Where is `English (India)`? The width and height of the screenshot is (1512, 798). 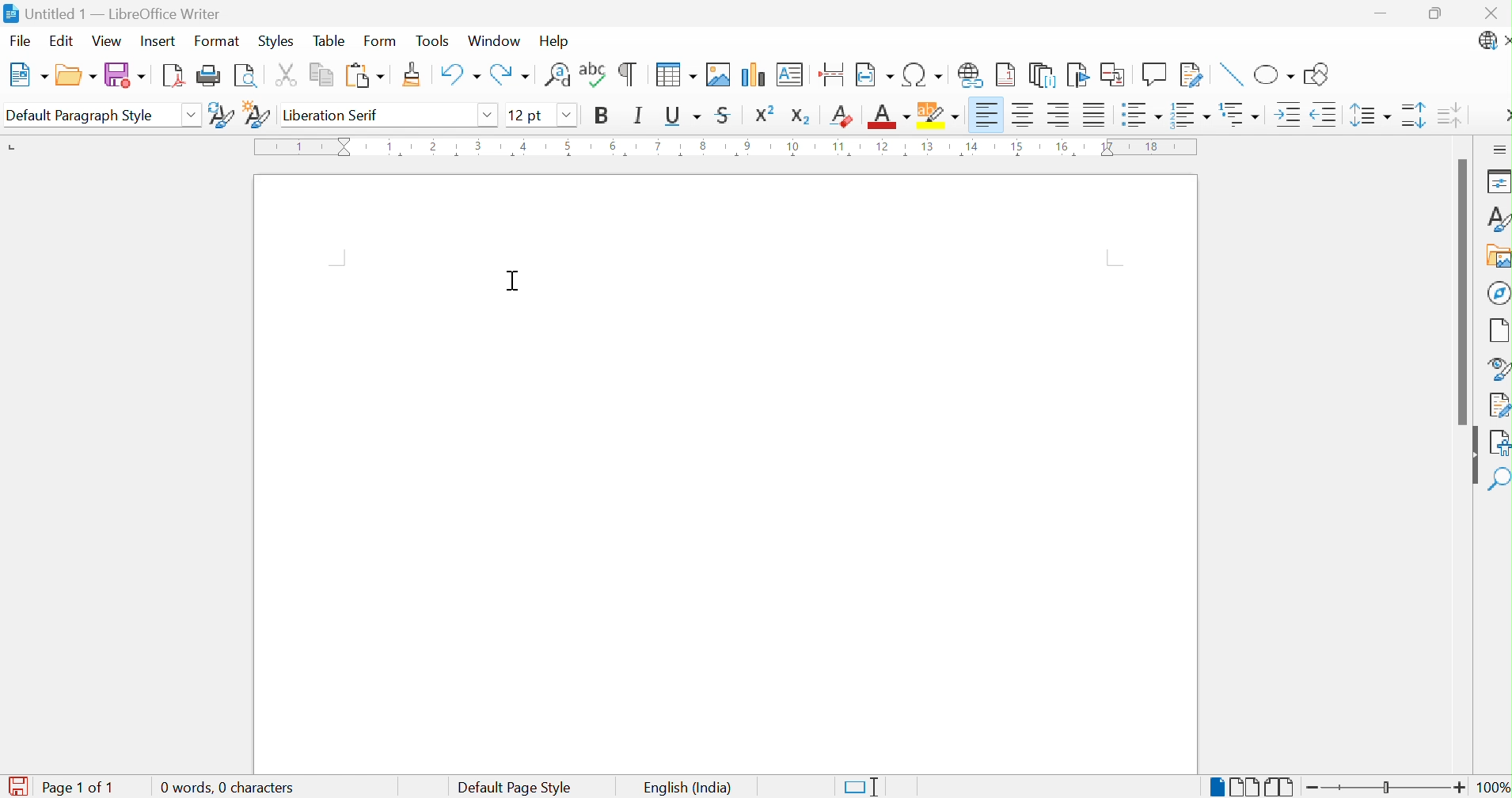
English (India) is located at coordinates (686, 787).